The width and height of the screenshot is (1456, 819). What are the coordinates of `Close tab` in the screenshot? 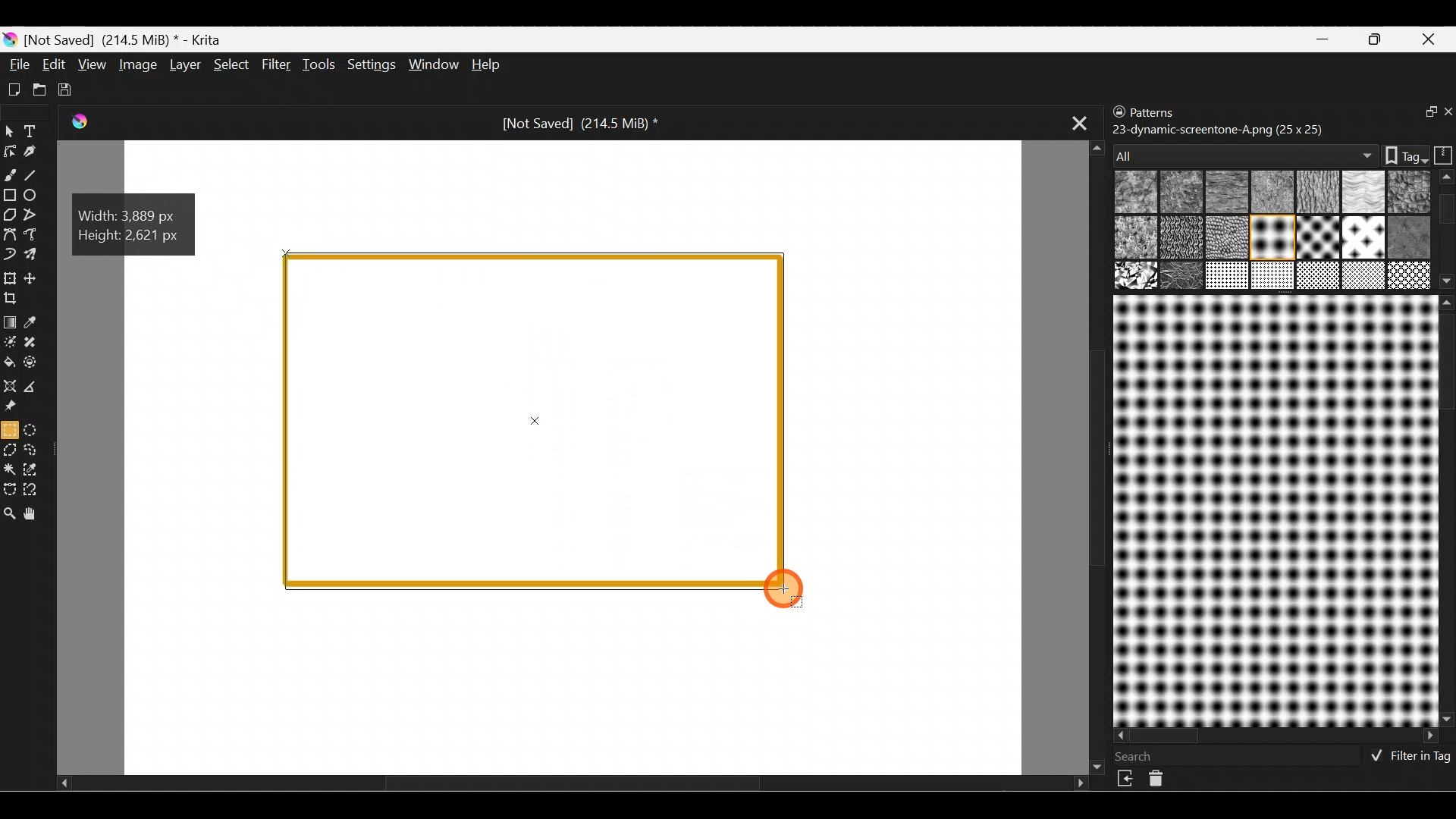 It's located at (1073, 124).